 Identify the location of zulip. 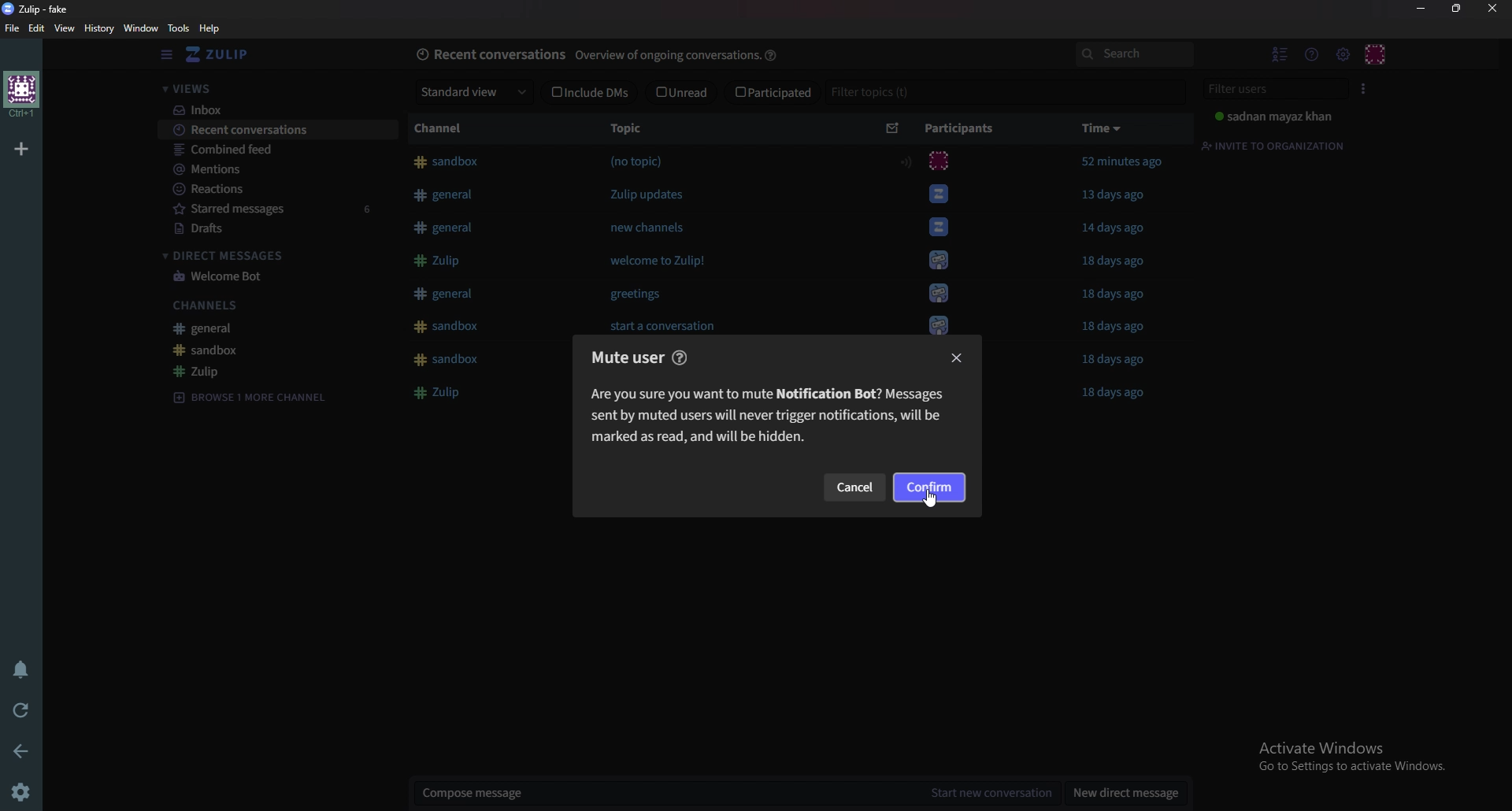
(261, 369).